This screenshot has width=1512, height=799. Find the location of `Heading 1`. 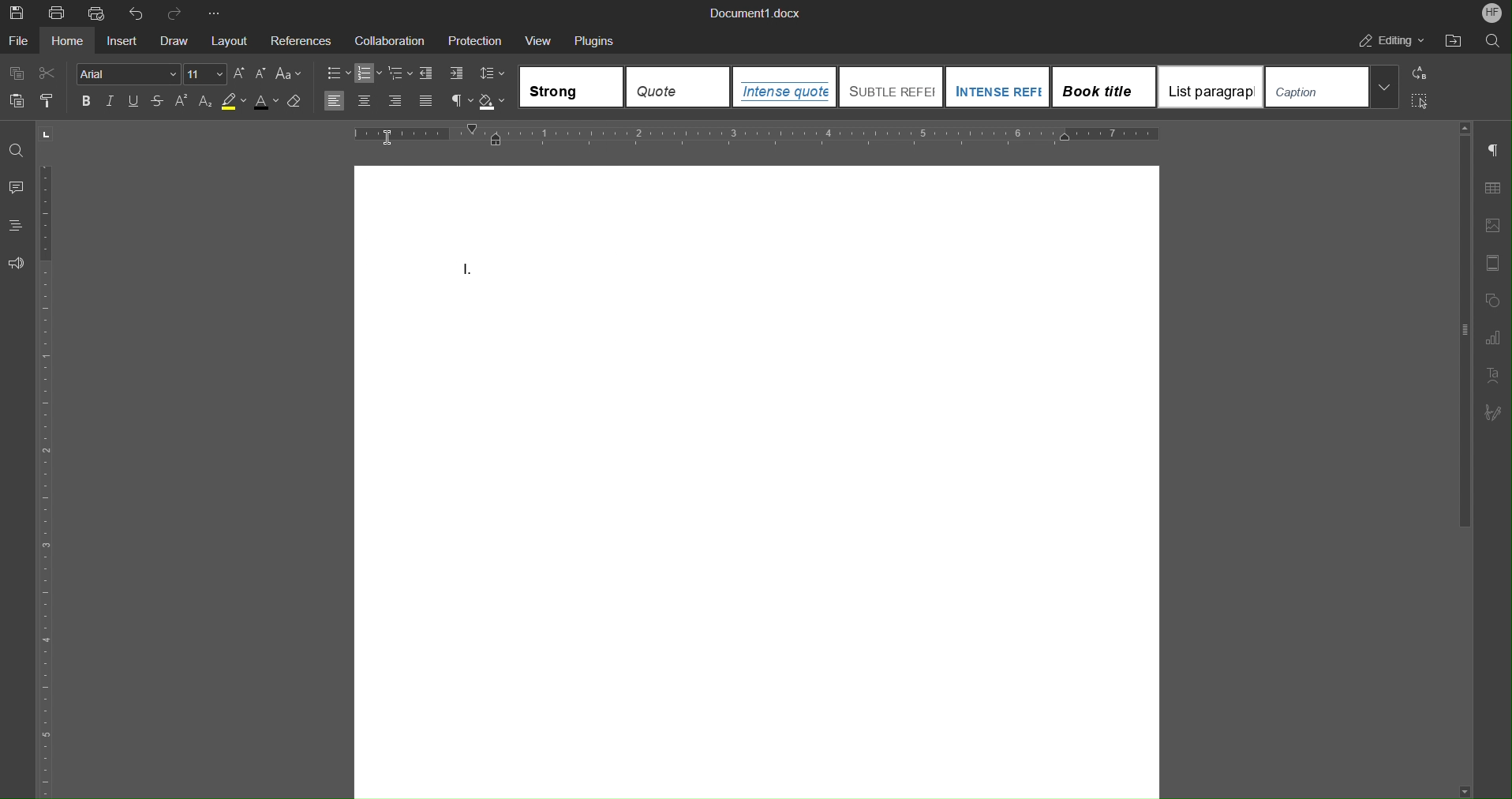

Heading 1 is located at coordinates (784, 86).